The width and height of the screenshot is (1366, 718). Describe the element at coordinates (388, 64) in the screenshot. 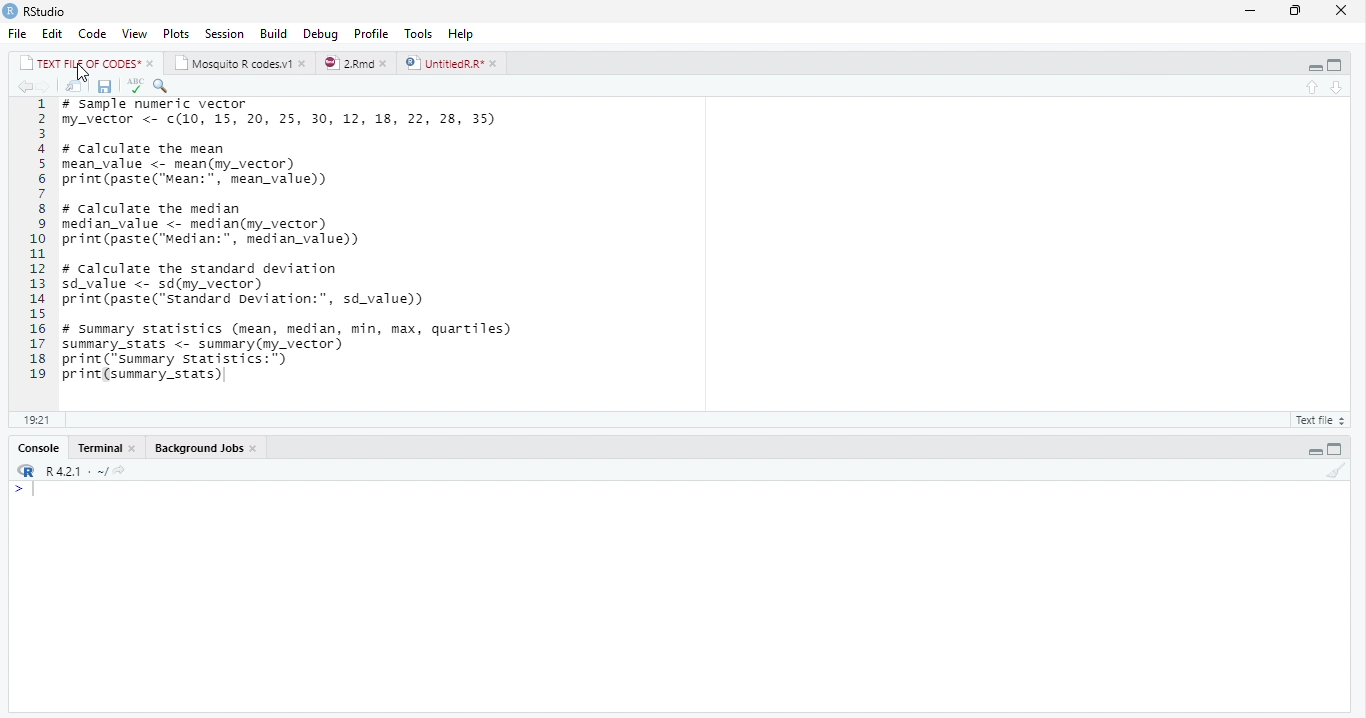

I see `close` at that location.